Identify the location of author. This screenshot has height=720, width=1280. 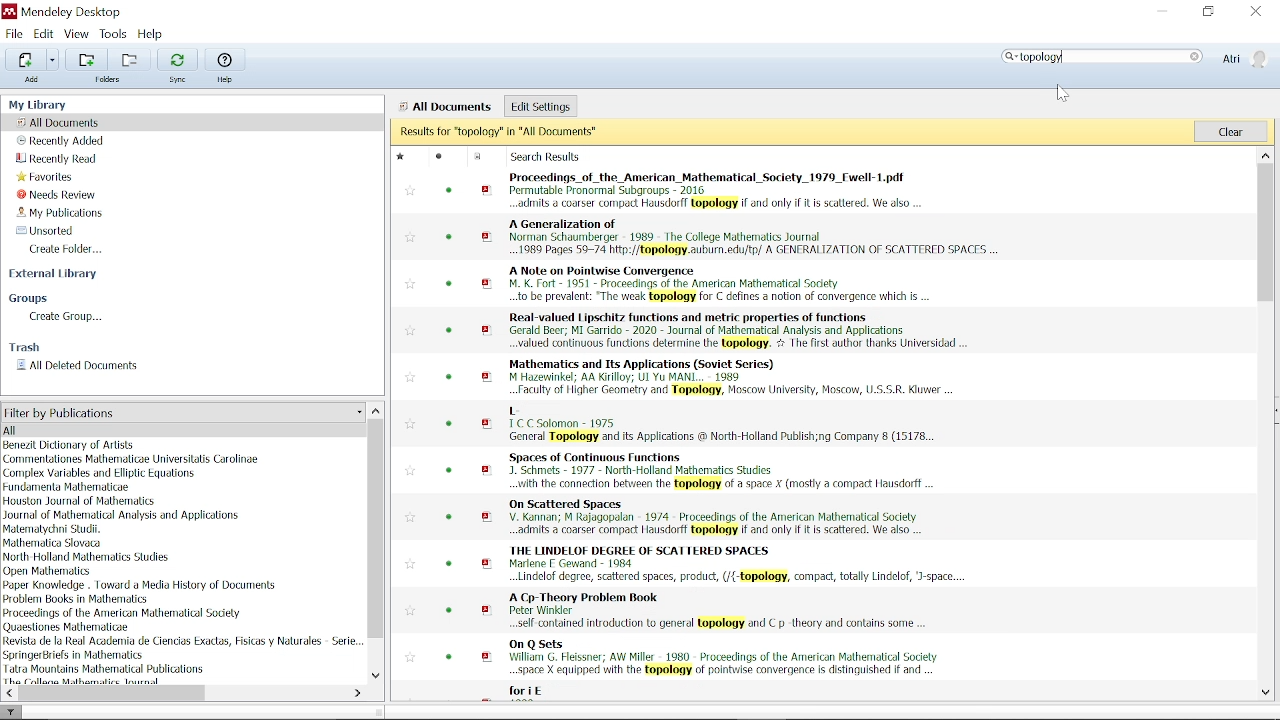
(75, 655).